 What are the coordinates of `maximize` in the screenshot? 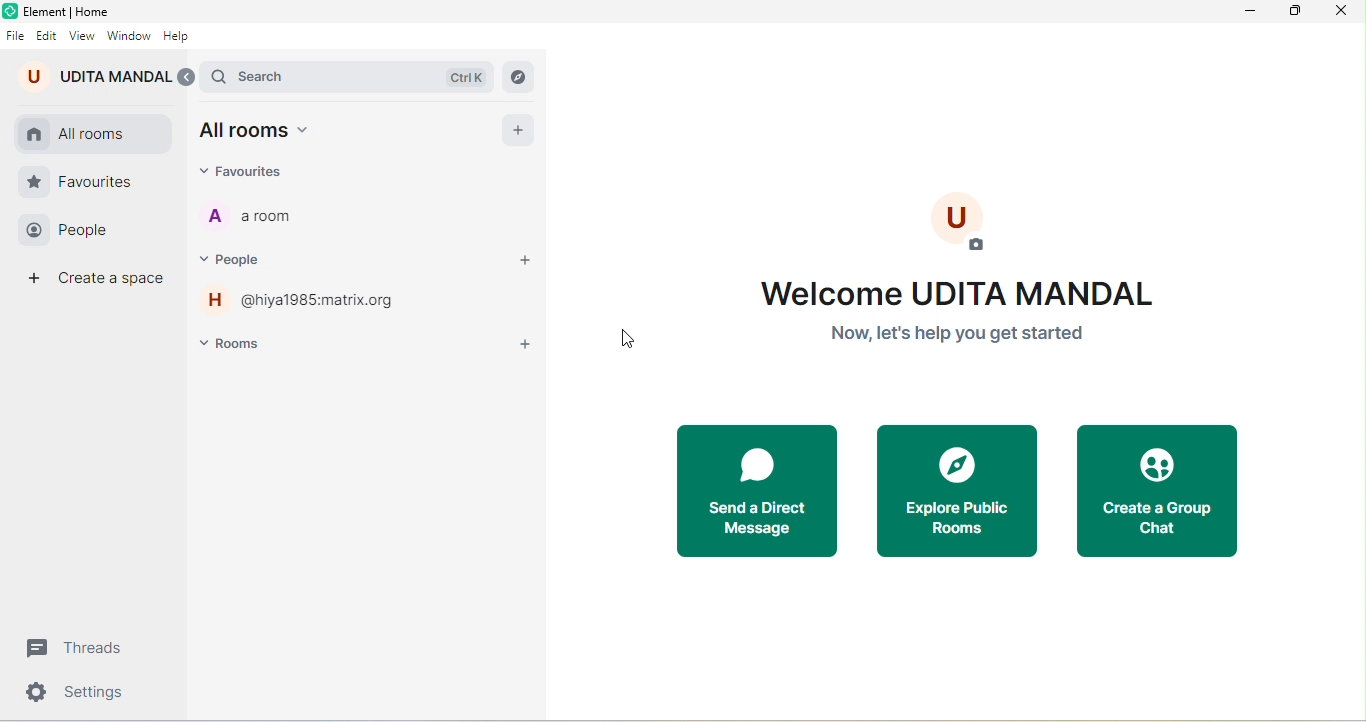 It's located at (1295, 11).